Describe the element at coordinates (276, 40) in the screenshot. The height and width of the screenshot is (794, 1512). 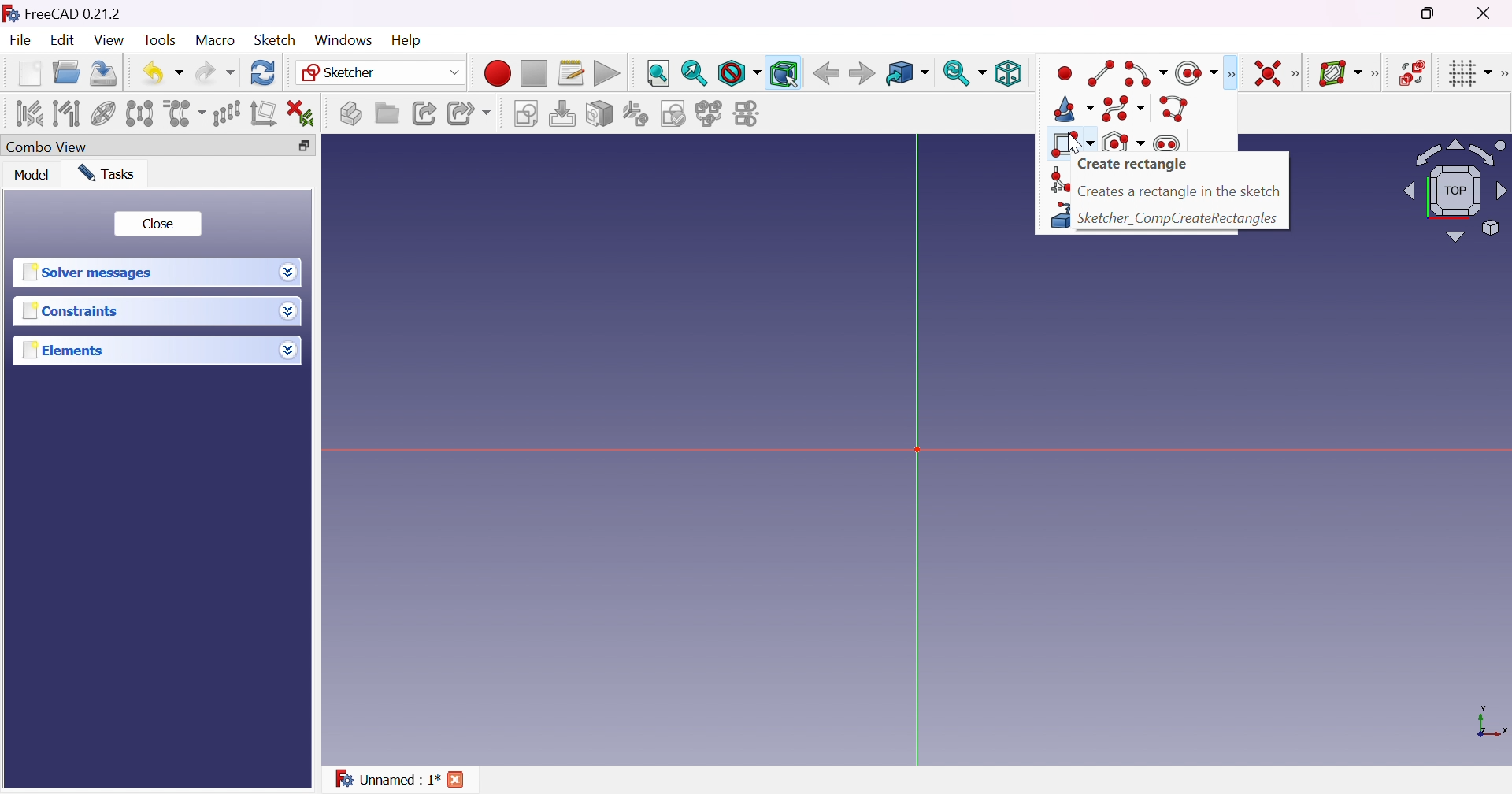
I see `Sketch` at that location.